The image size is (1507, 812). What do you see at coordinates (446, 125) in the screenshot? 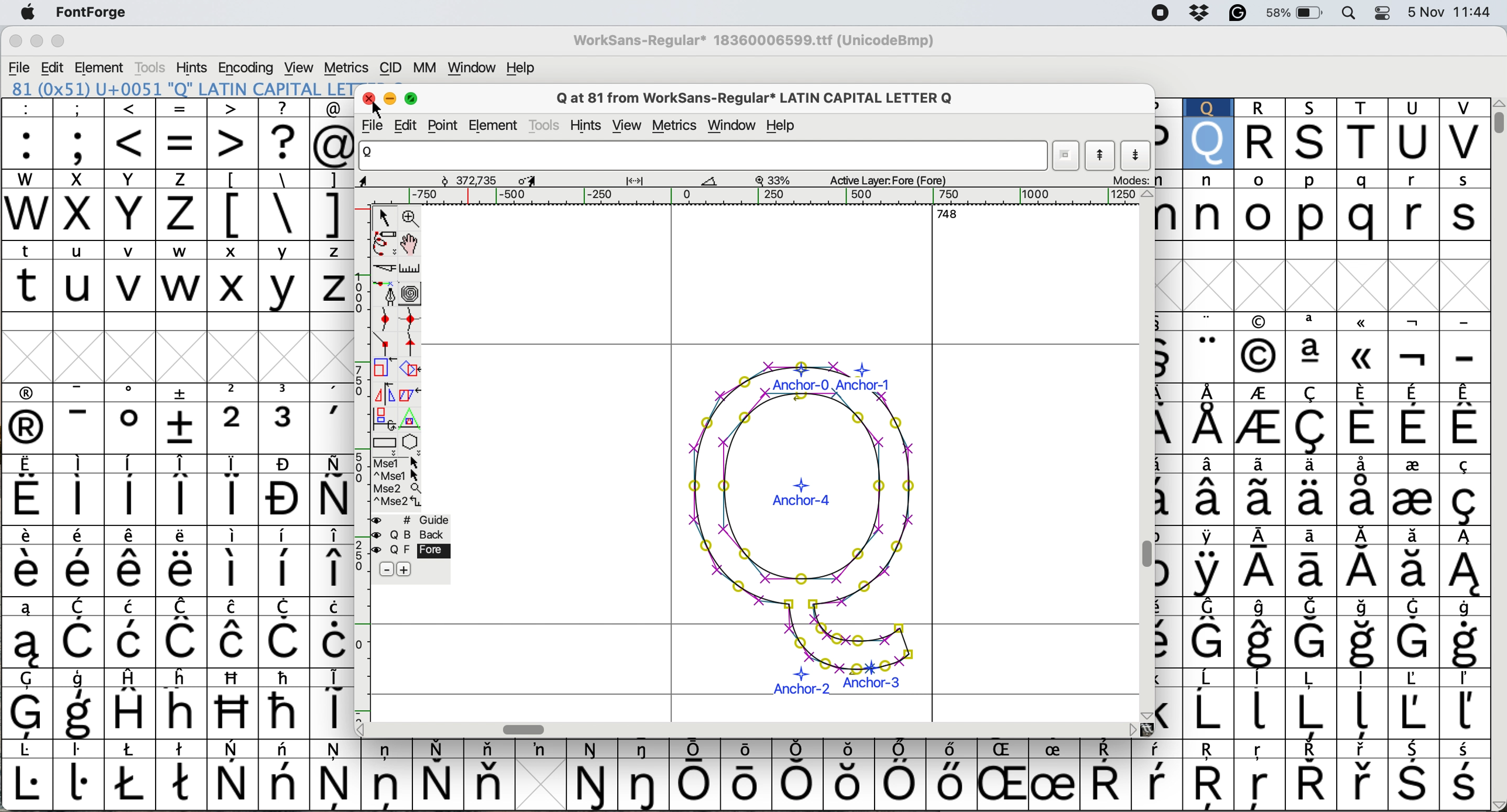
I see `point` at bounding box center [446, 125].